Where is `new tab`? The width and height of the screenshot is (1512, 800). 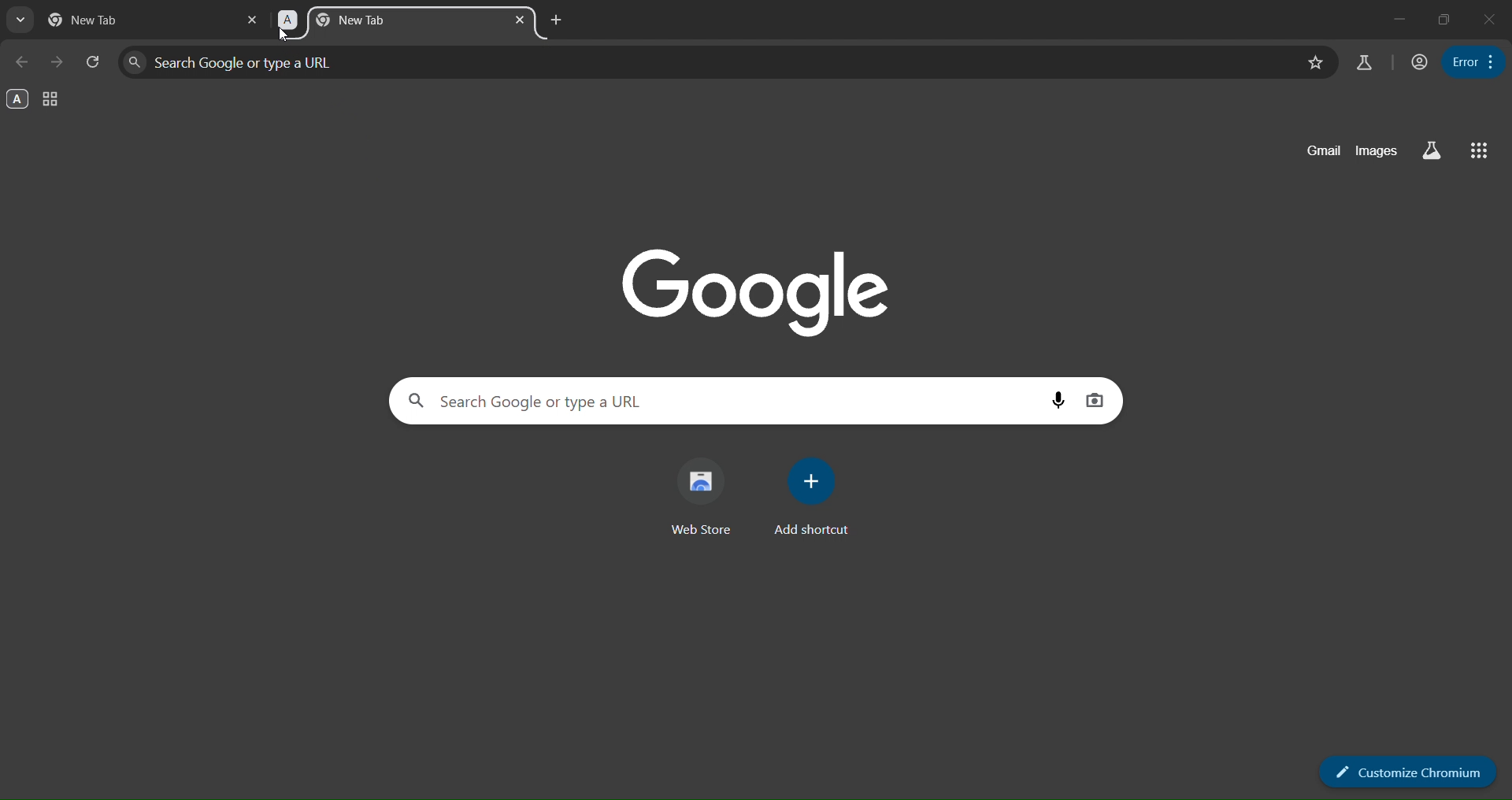 new tab is located at coordinates (102, 20).